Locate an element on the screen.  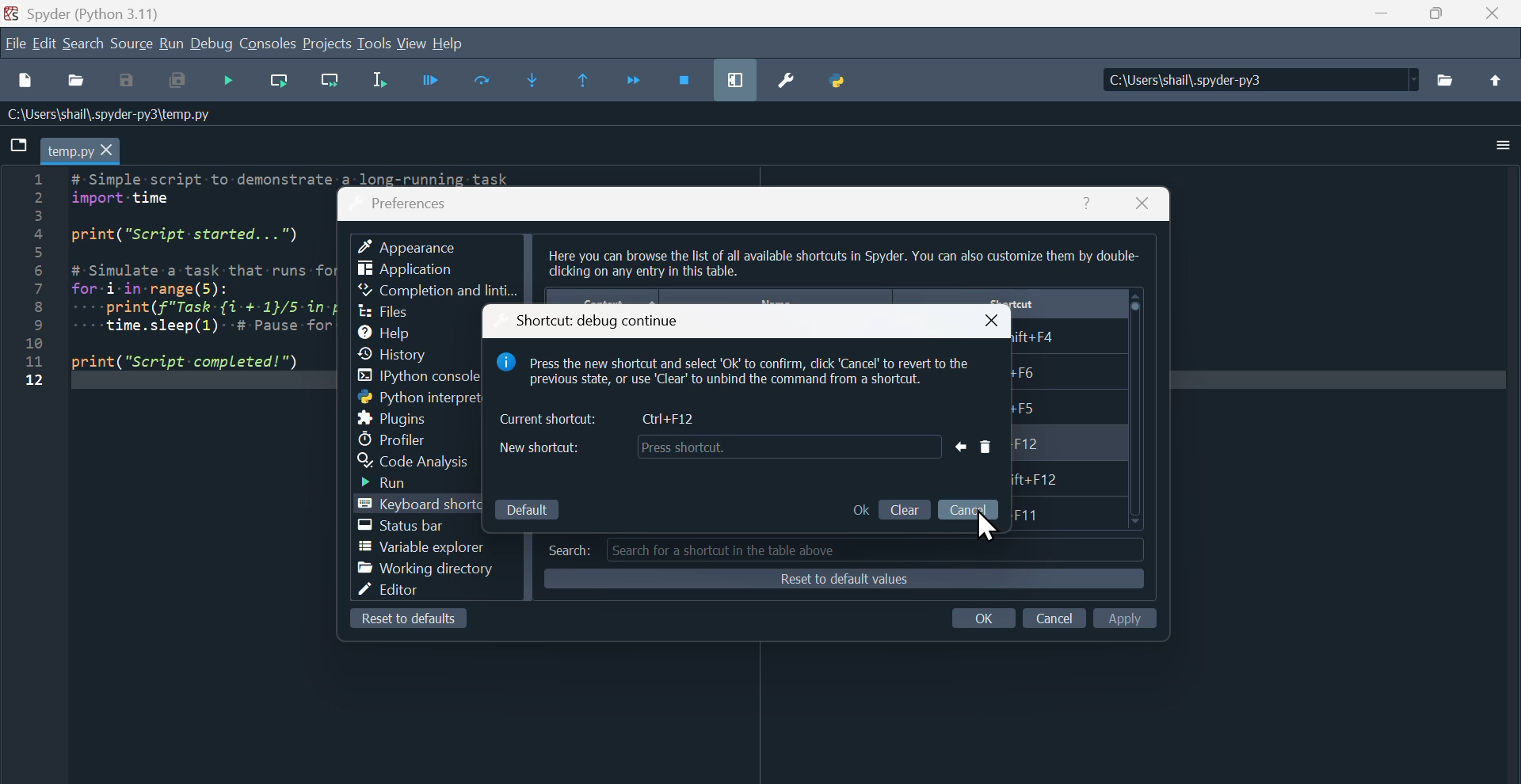
tools is located at coordinates (375, 47).